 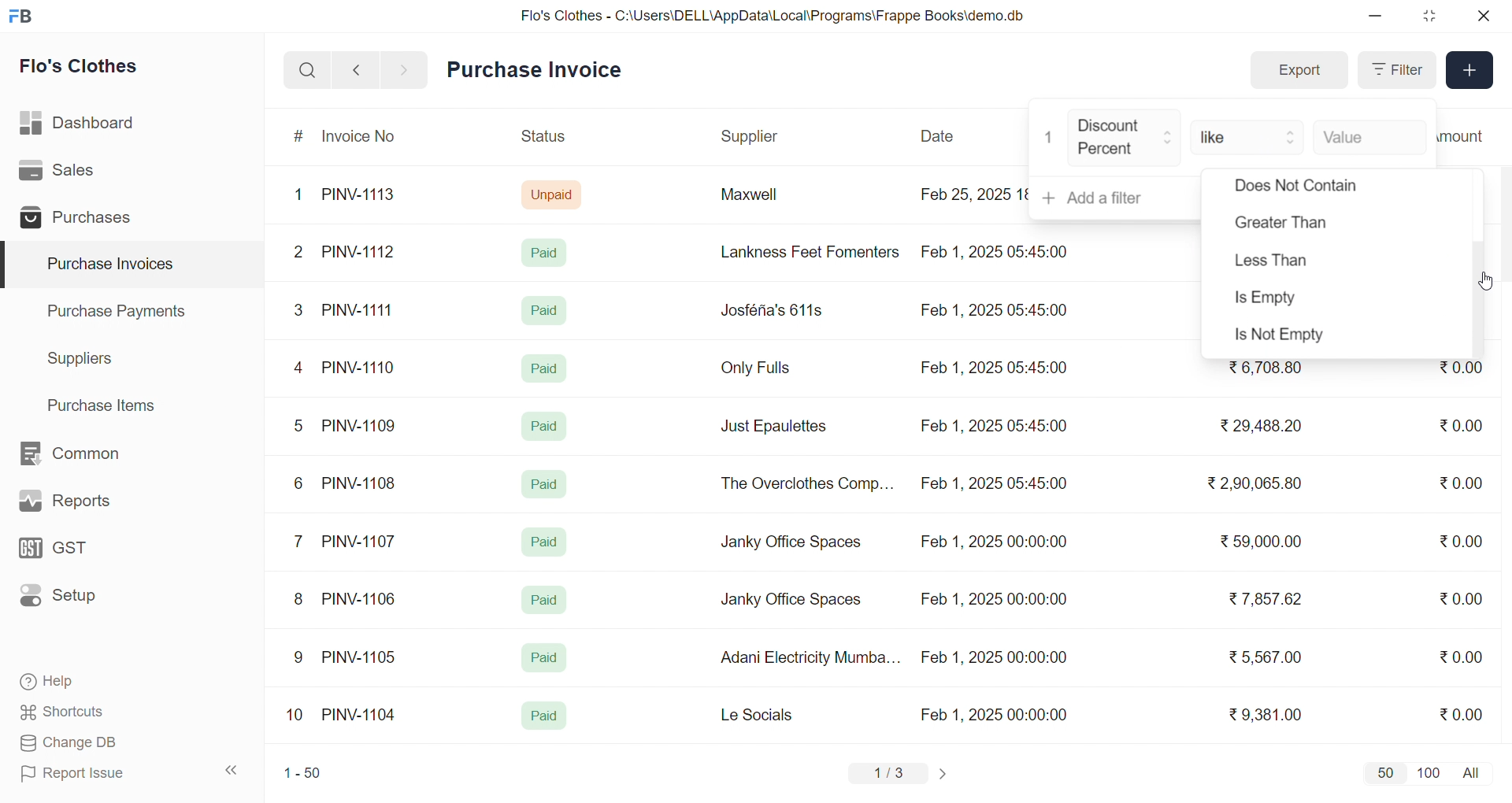 What do you see at coordinates (548, 252) in the screenshot?
I see `Paid` at bounding box center [548, 252].